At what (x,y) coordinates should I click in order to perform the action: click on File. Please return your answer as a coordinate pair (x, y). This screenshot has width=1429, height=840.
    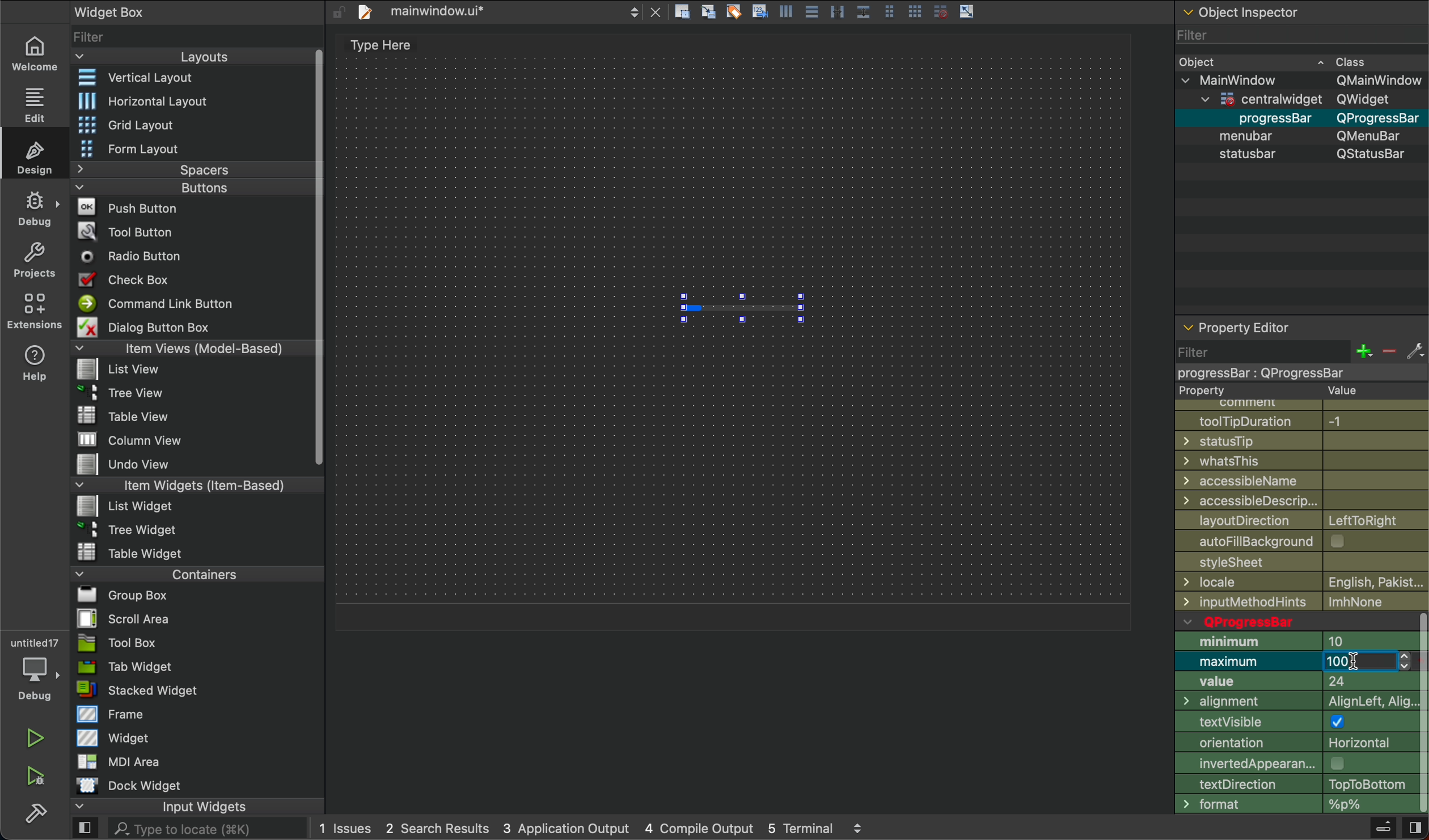
    Looking at the image, I should click on (121, 391).